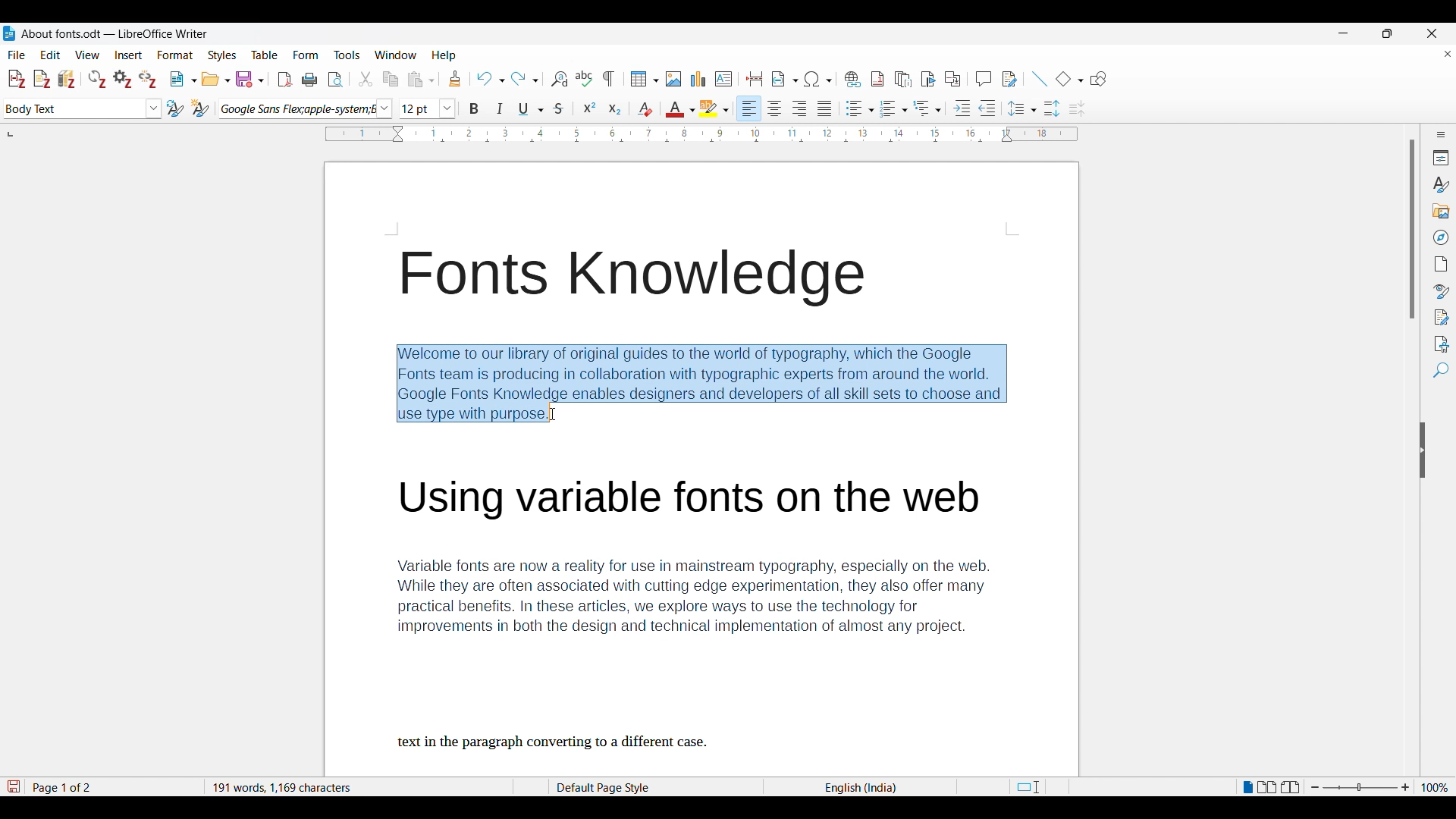 This screenshot has width=1456, height=819. What do you see at coordinates (608, 79) in the screenshot?
I see `Toggle formatting marks` at bounding box center [608, 79].